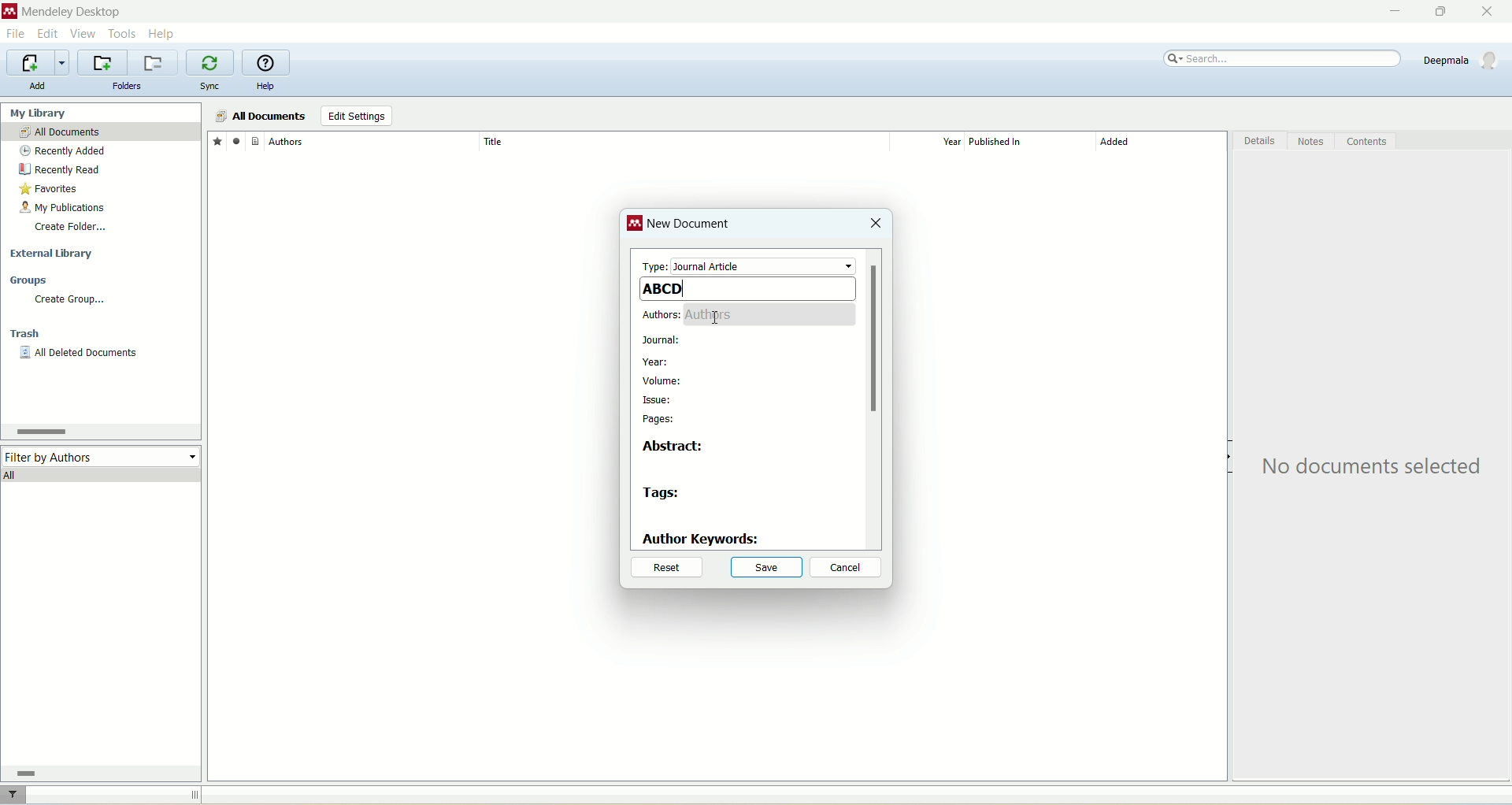 The width and height of the screenshot is (1512, 805). Describe the element at coordinates (1162, 146) in the screenshot. I see `added` at that location.